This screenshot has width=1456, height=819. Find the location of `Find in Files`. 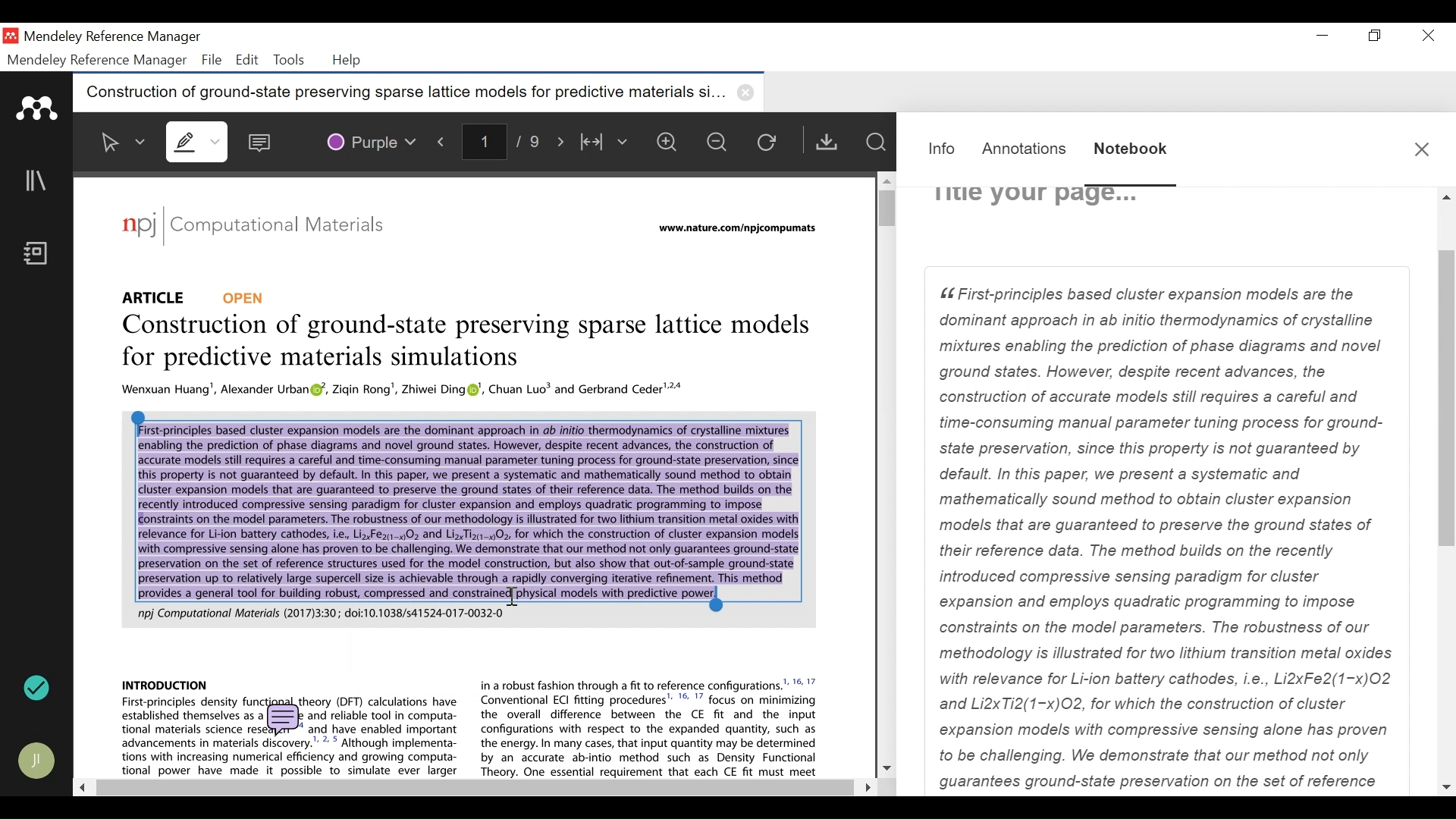

Find in Files is located at coordinates (875, 142).